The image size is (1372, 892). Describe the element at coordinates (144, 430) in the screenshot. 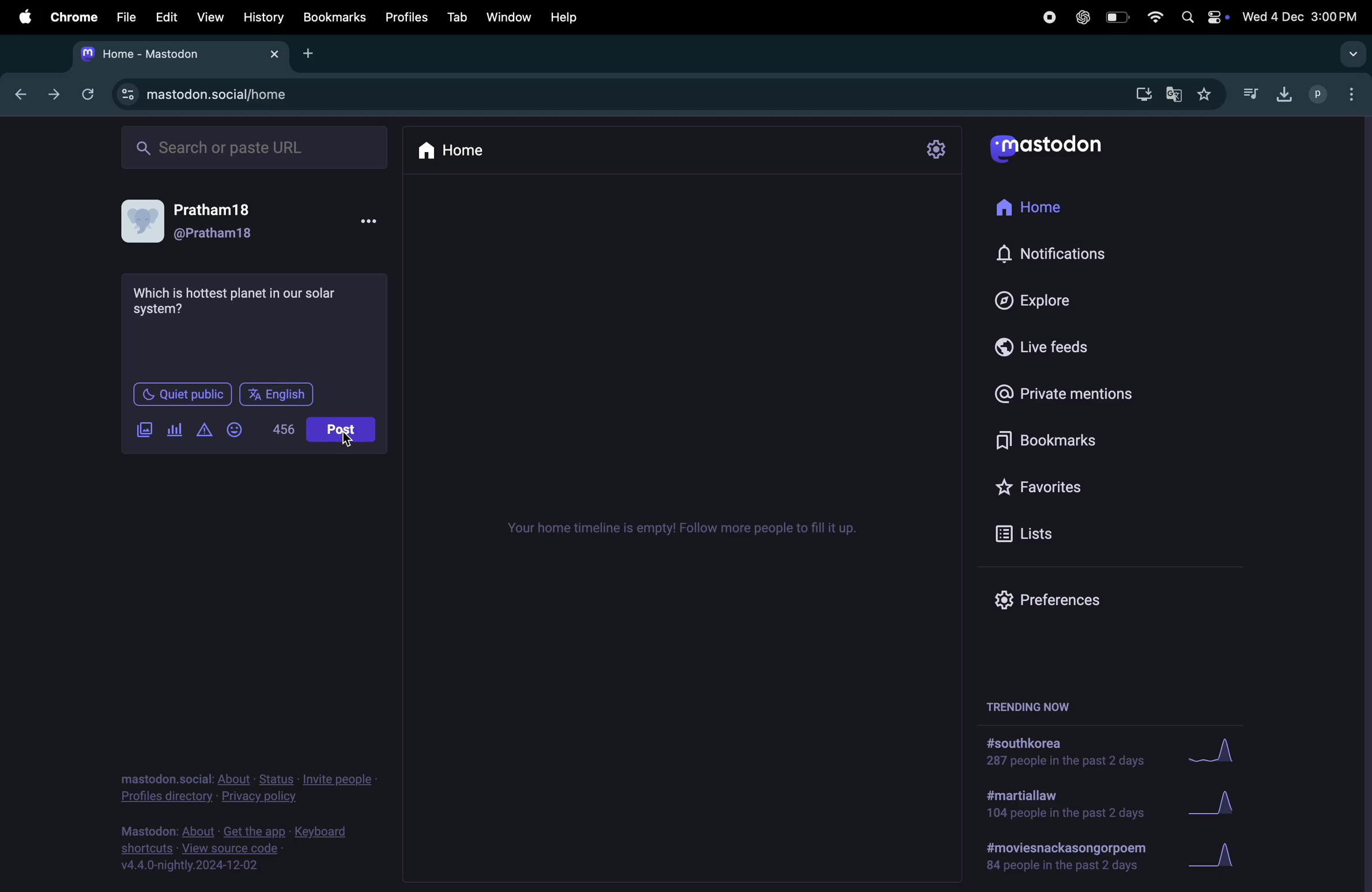

I see `images` at that location.